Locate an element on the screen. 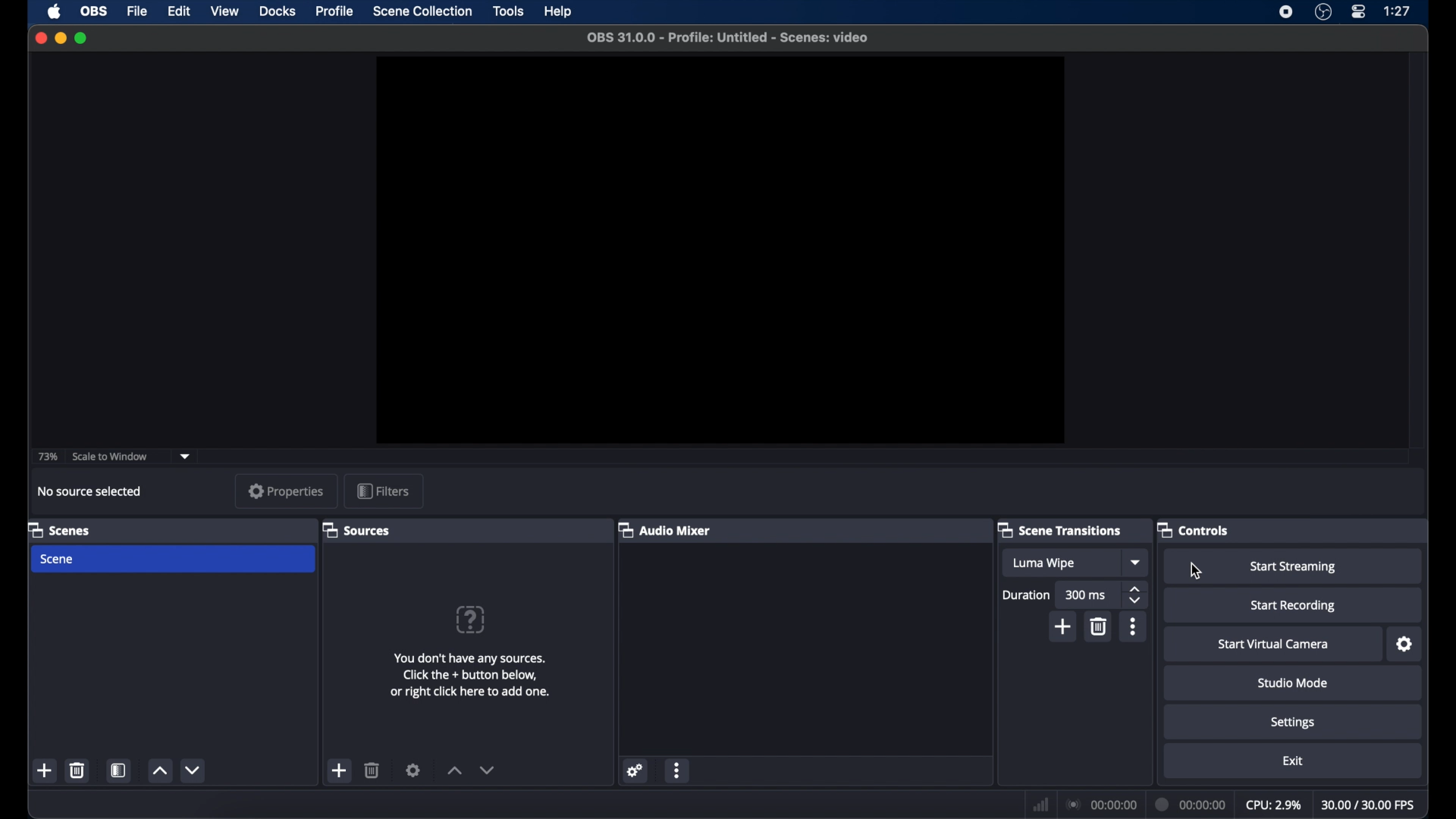  filters is located at coordinates (382, 491).